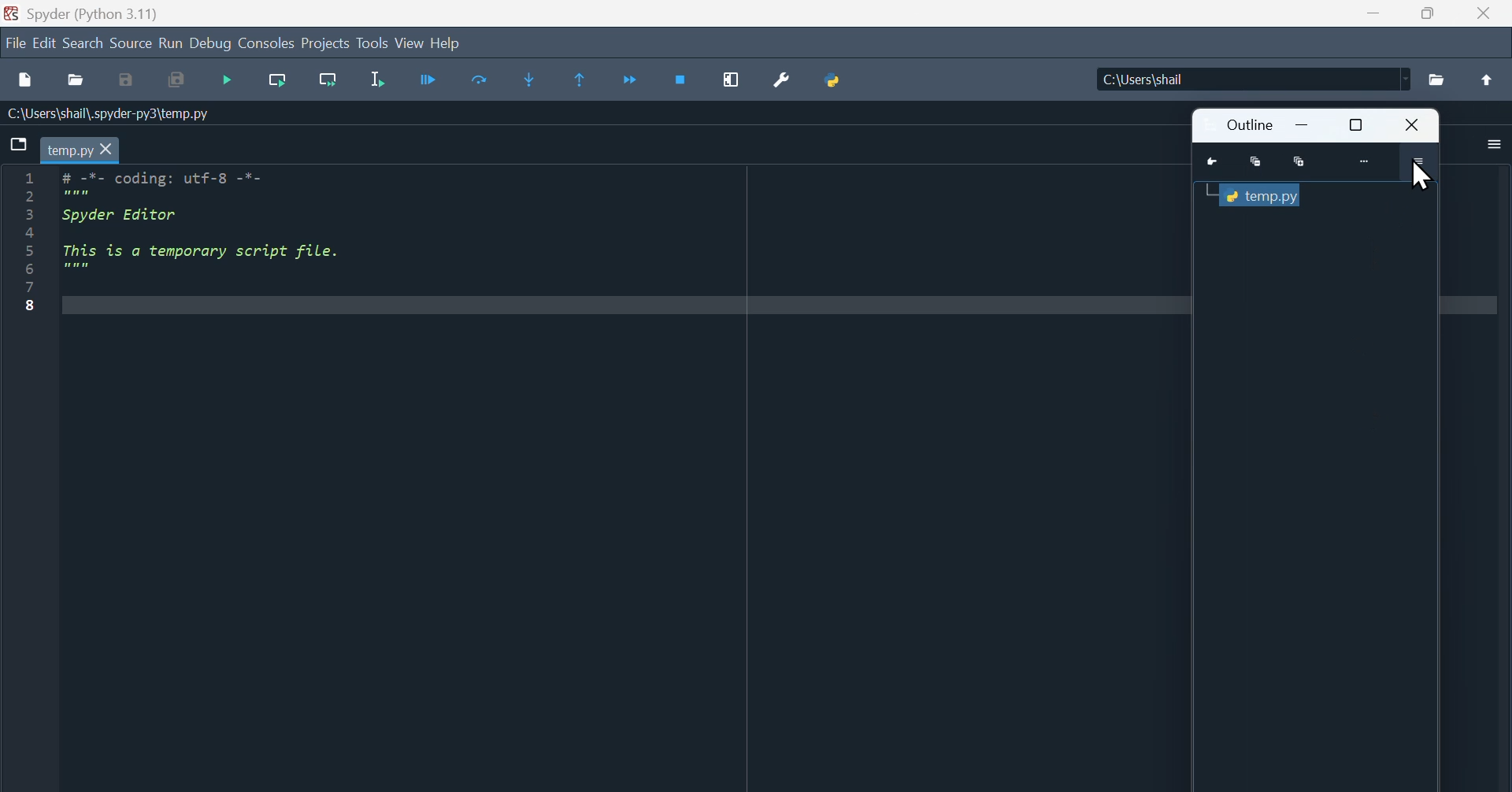 This screenshot has width=1512, height=792. Describe the element at coordinates (680, 80) in the screenshot. I see `Stop debugging` at that location.